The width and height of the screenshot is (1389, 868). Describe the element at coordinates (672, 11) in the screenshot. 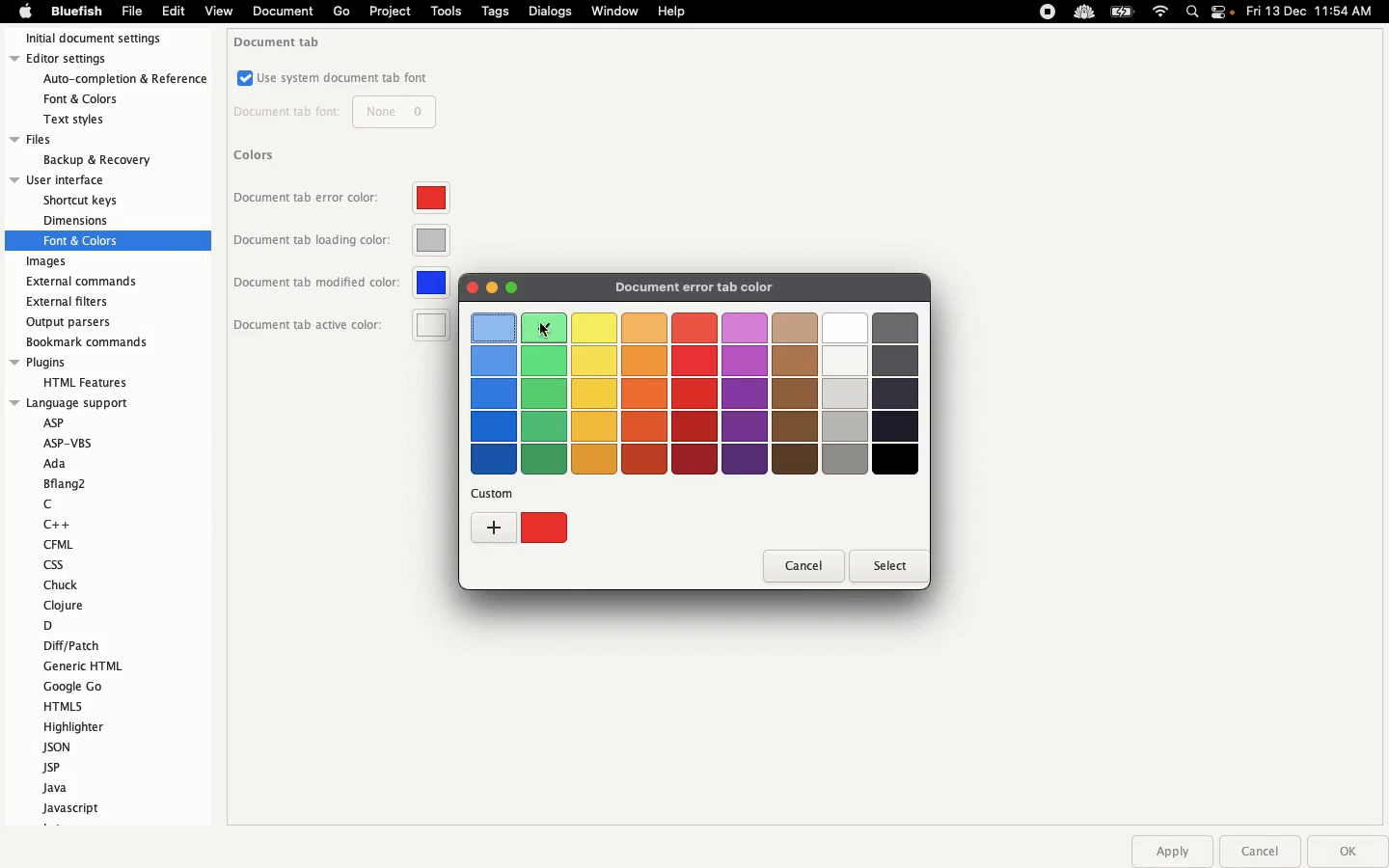

I see `Help` at that location.